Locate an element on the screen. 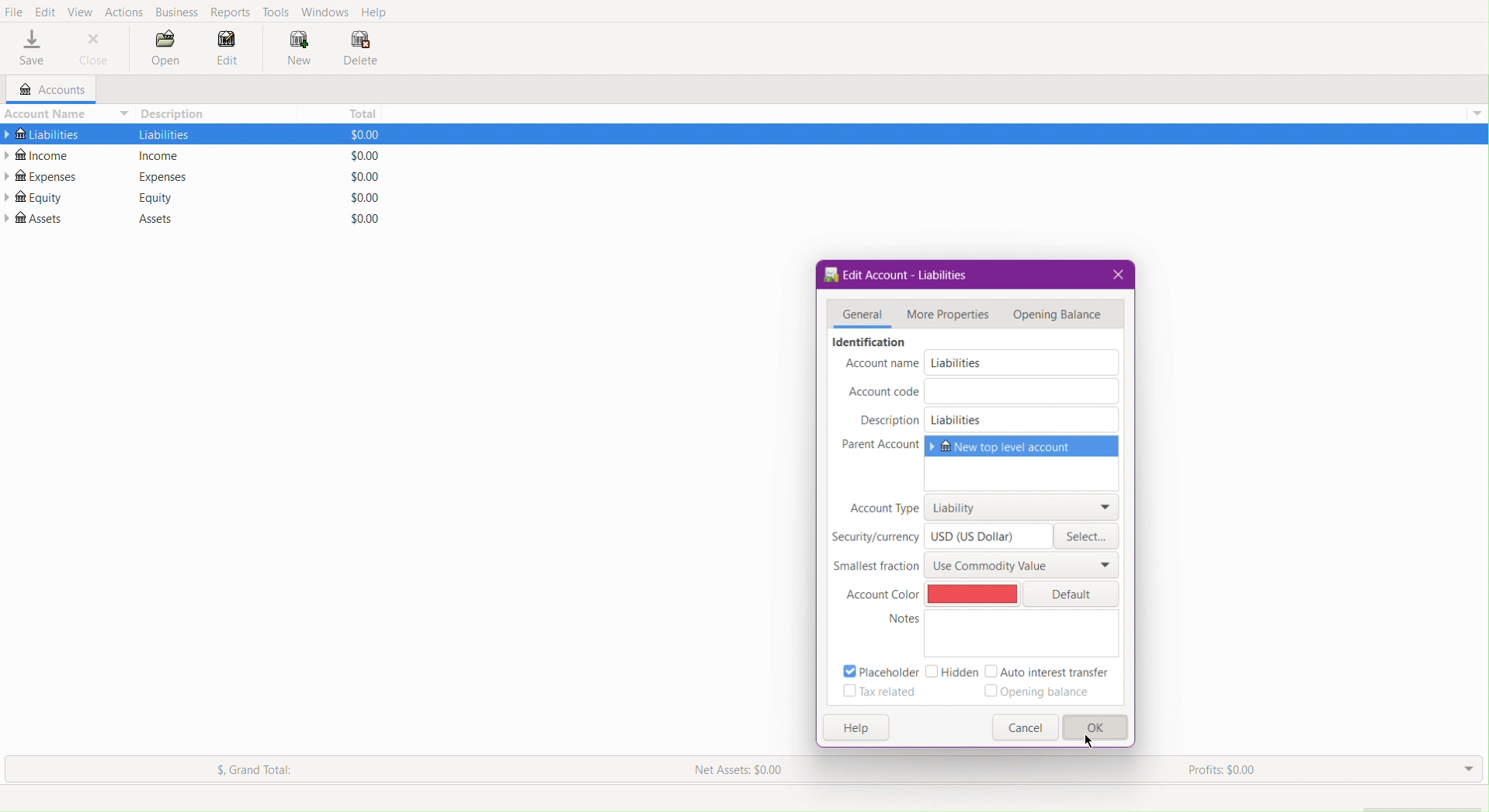 This screenshot has height=812, width=1489. Tax related is located at coordinates (880, 692).